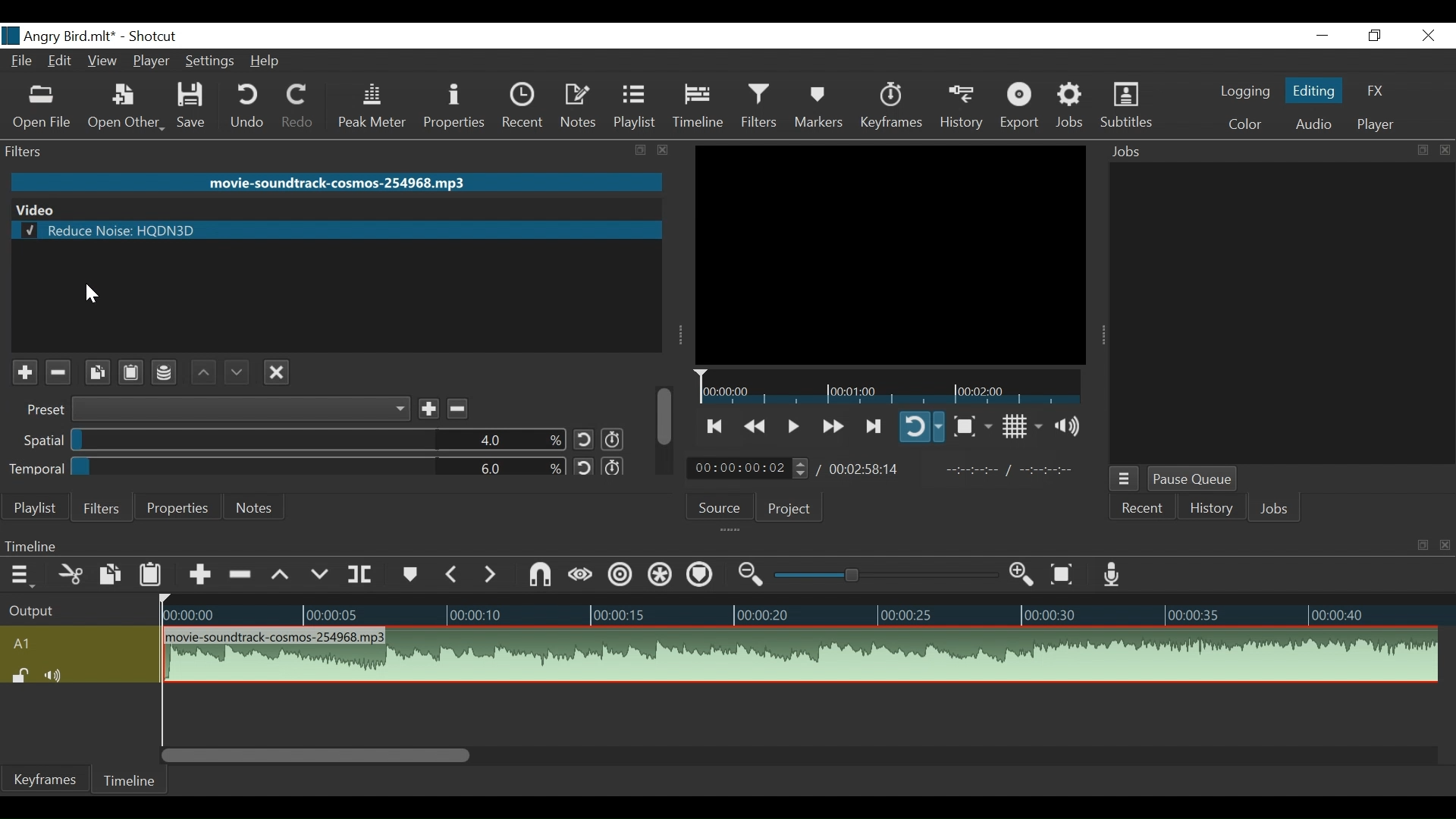 The height and width of the screenshot is (819, 1456). I want to click on Timeline, so click(802, 610).